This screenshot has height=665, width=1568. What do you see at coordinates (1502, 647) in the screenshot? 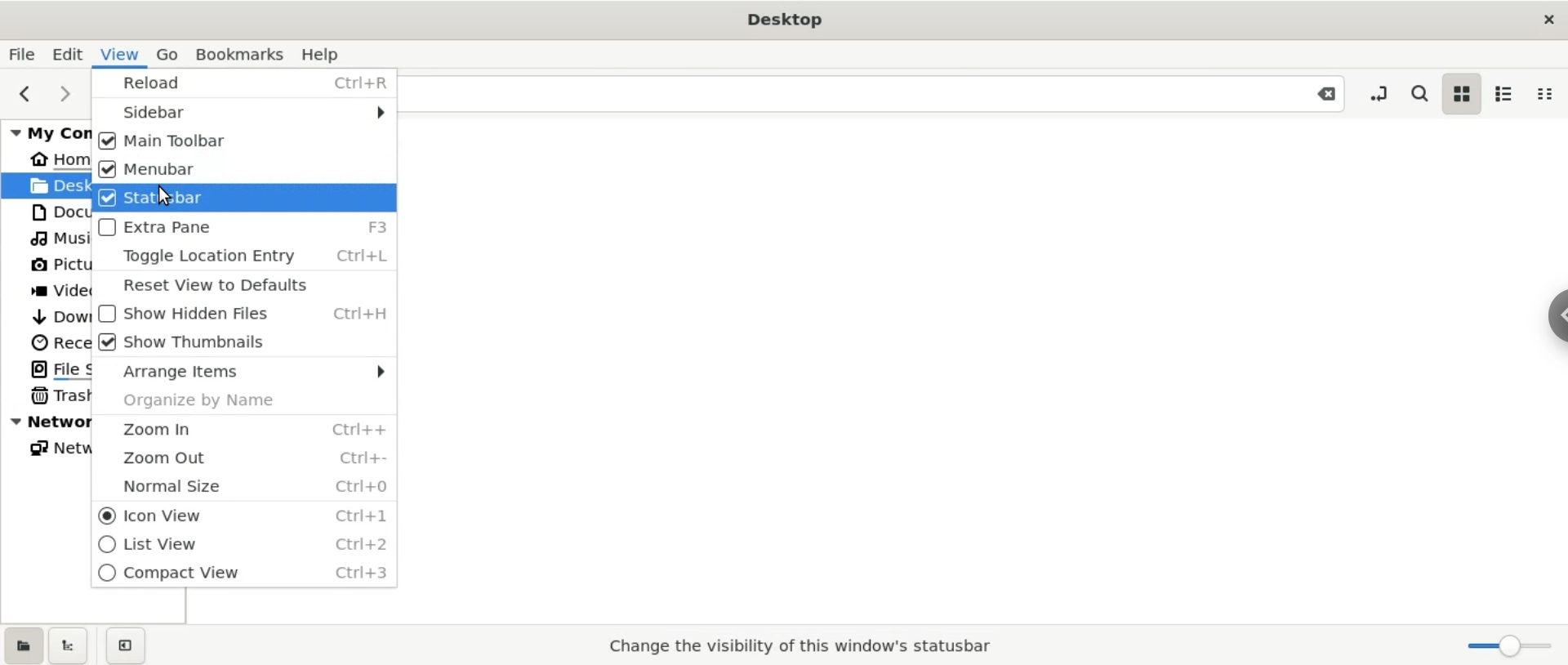
I see `zoom` at bounding box center [1502, 647].